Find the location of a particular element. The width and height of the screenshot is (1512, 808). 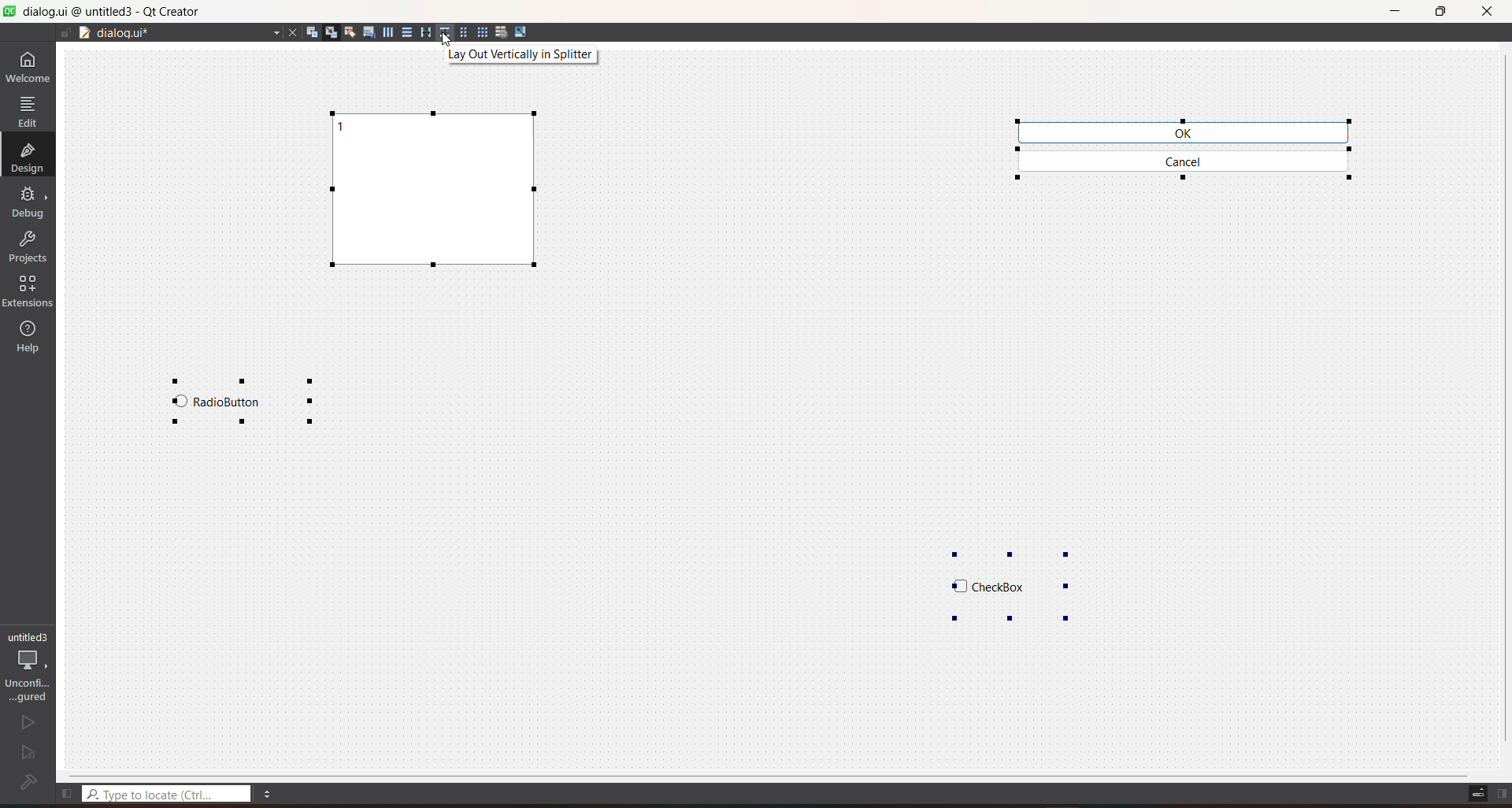

show right sidebar is located at coordinates (1503, 793).